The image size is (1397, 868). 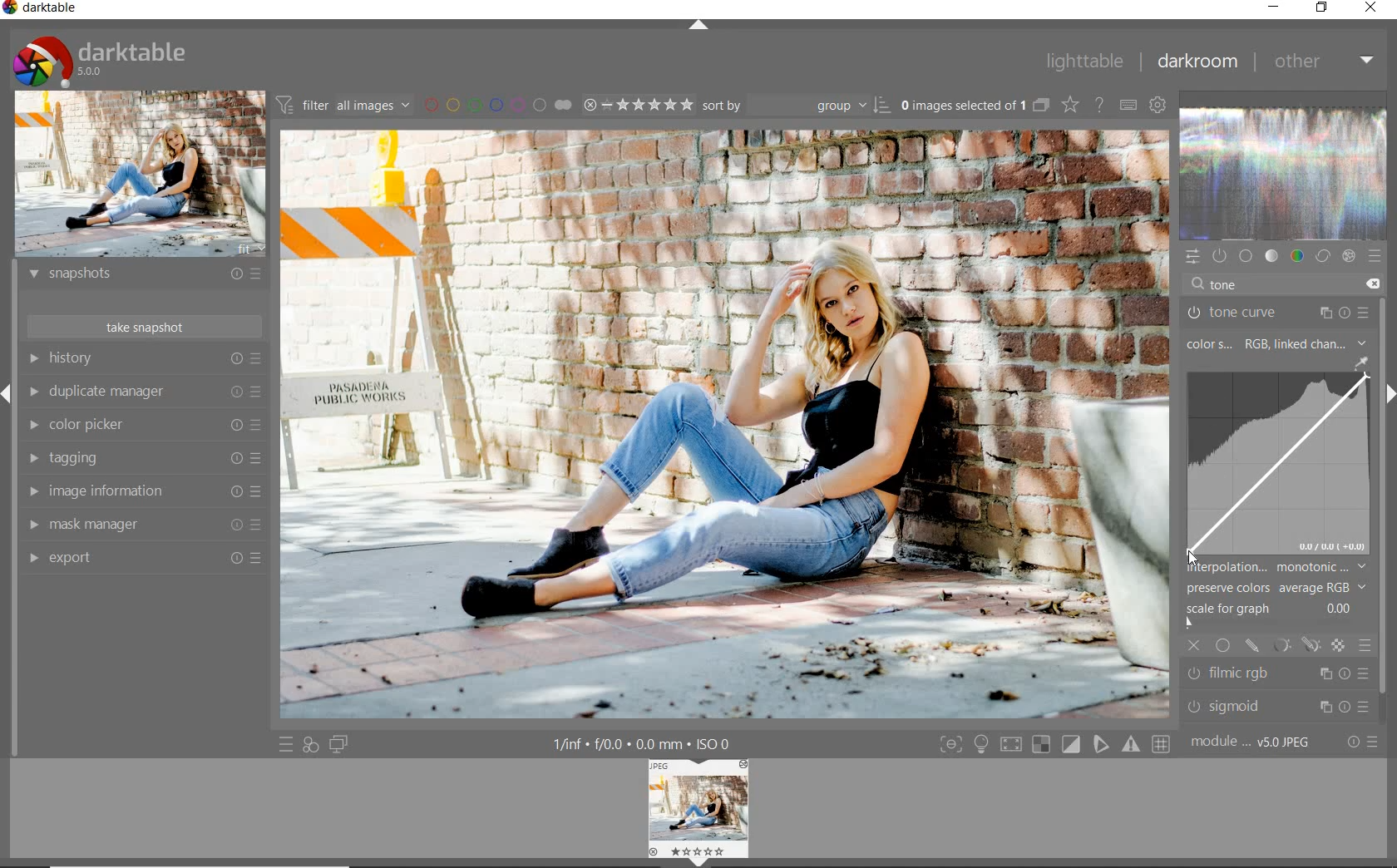 What do you see at coordinates (501, 106) in the screenshot?
I see `filter by image color` at bounding box center [501, 106].